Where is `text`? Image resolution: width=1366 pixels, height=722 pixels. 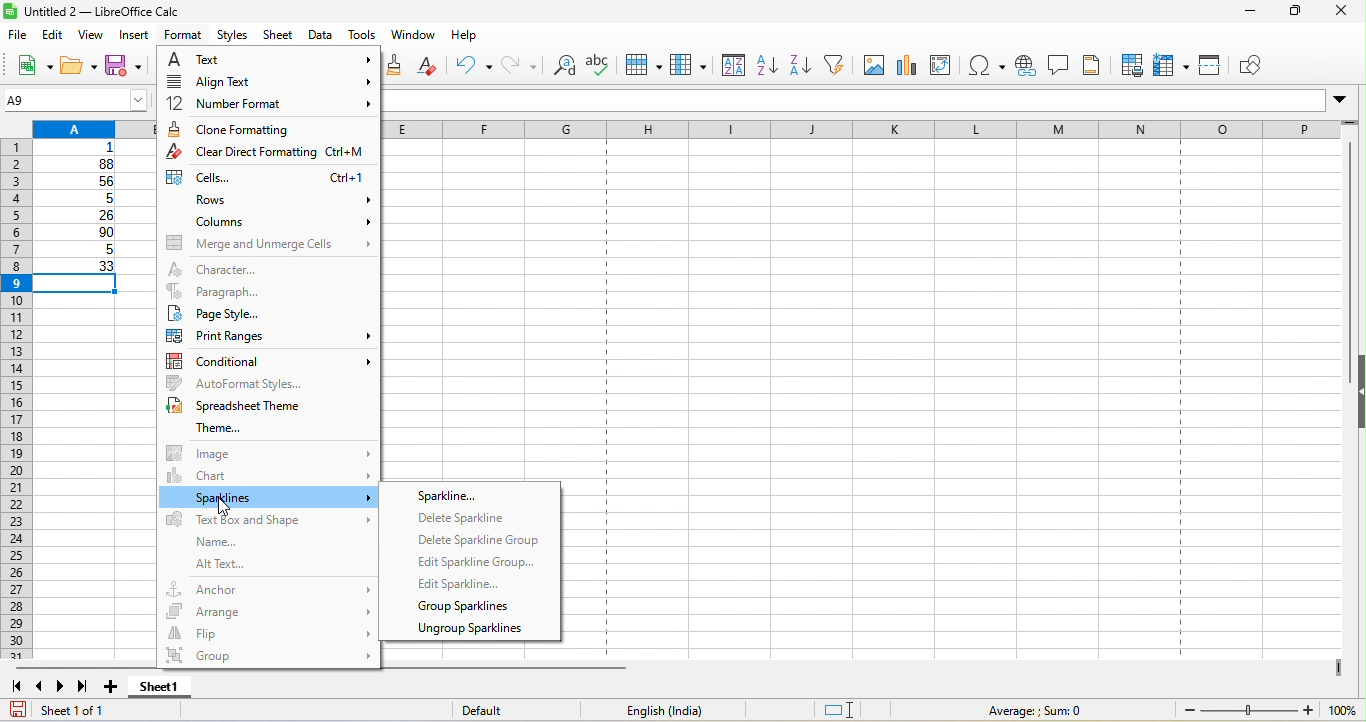
text is located at coordinates (269, 61).